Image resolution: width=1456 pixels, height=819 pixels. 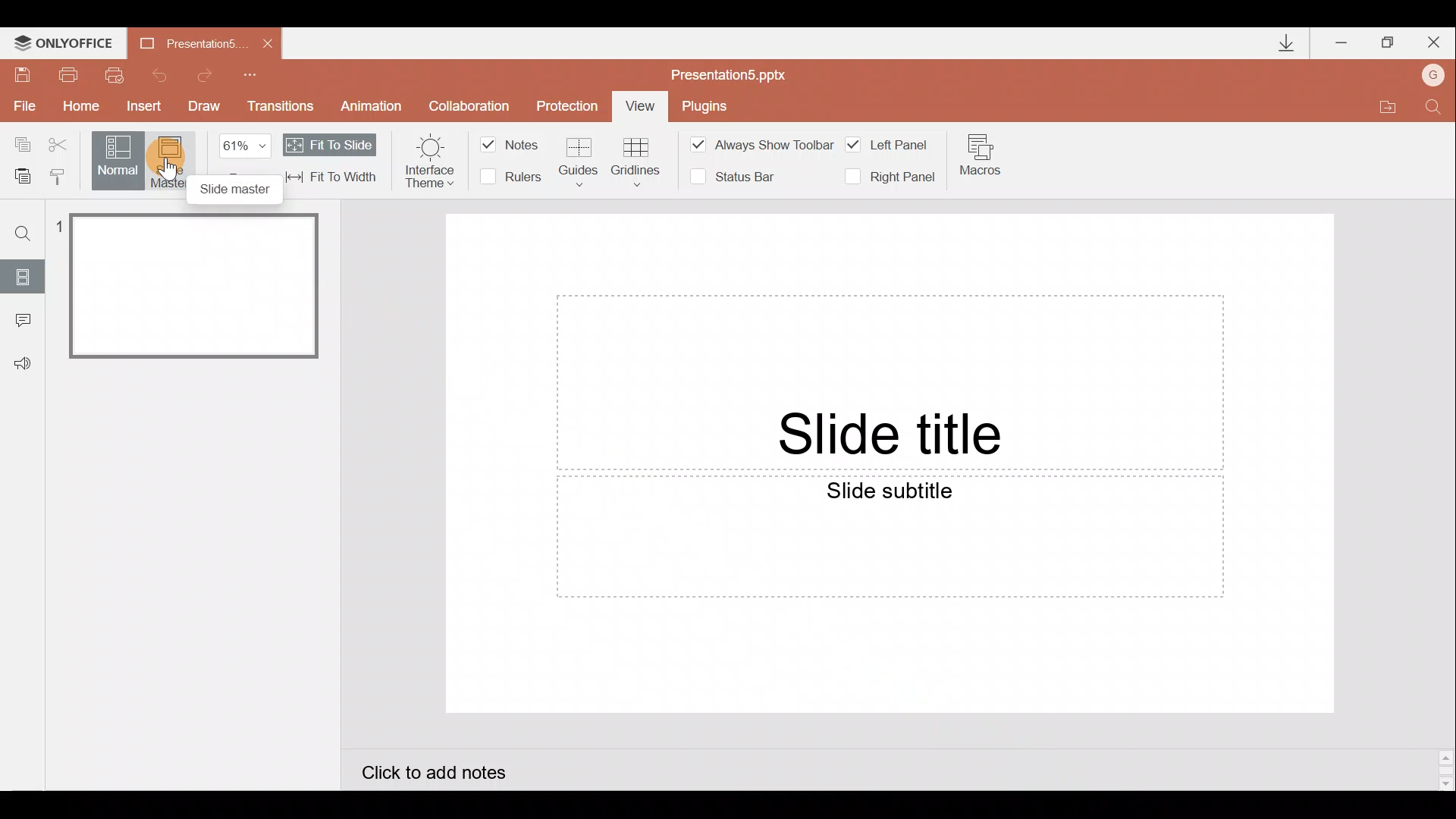 I want to click on Zoom, so click(x=251, y=145).